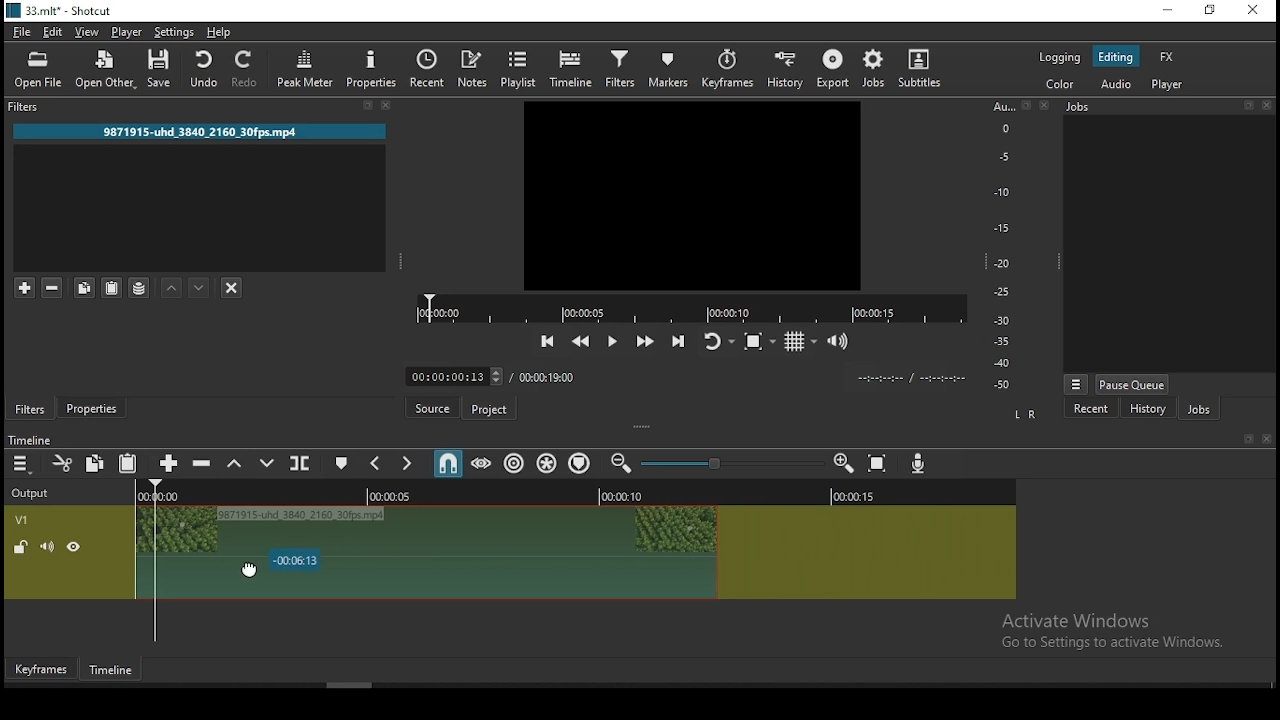 This screenshot has height=720, width=1280. Describe the element at coordinates (239, 465) in the screenshot. I see `lift` at that location.